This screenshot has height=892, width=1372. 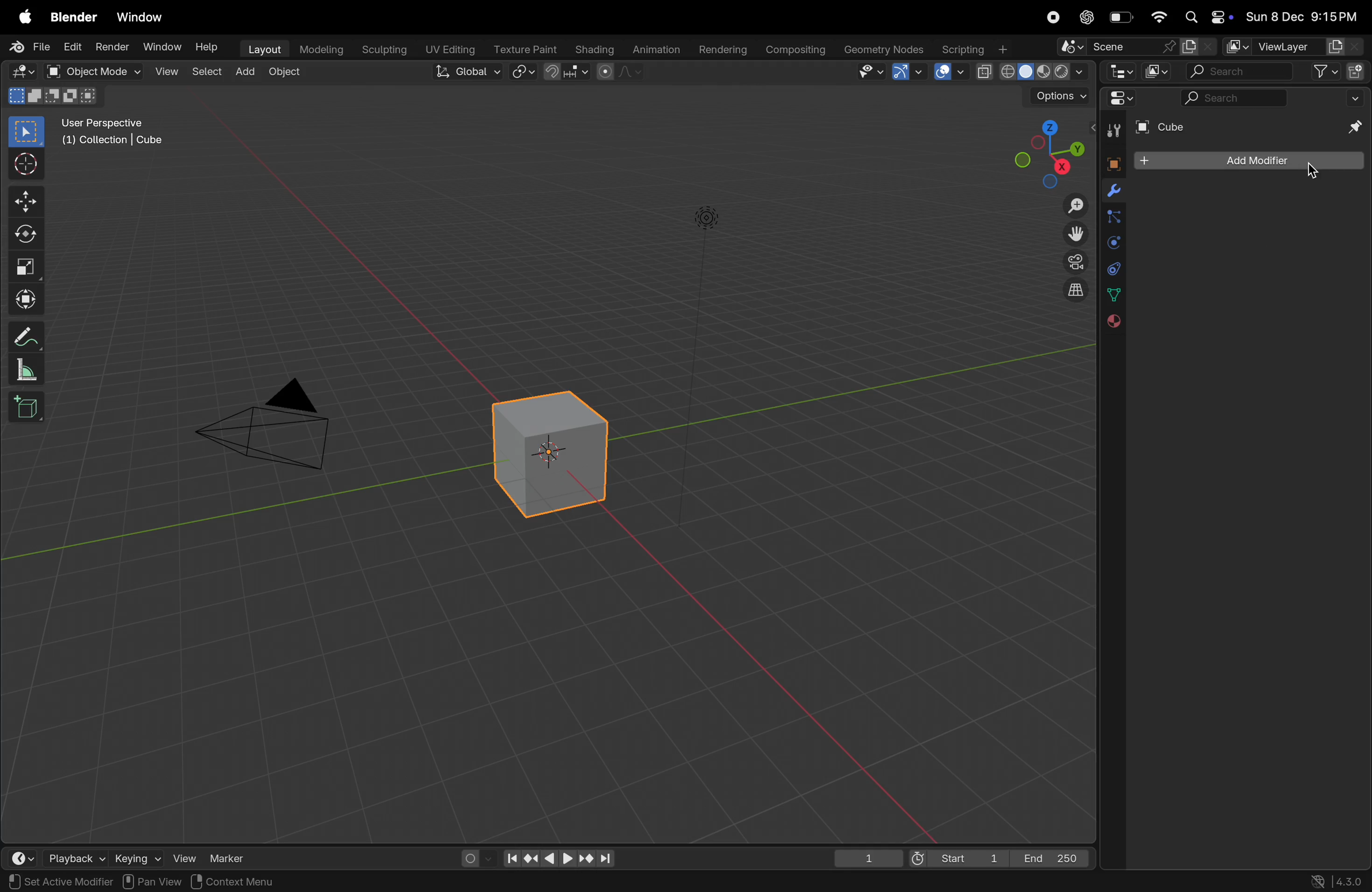 I want to click on help, so click(x=209, y=50).